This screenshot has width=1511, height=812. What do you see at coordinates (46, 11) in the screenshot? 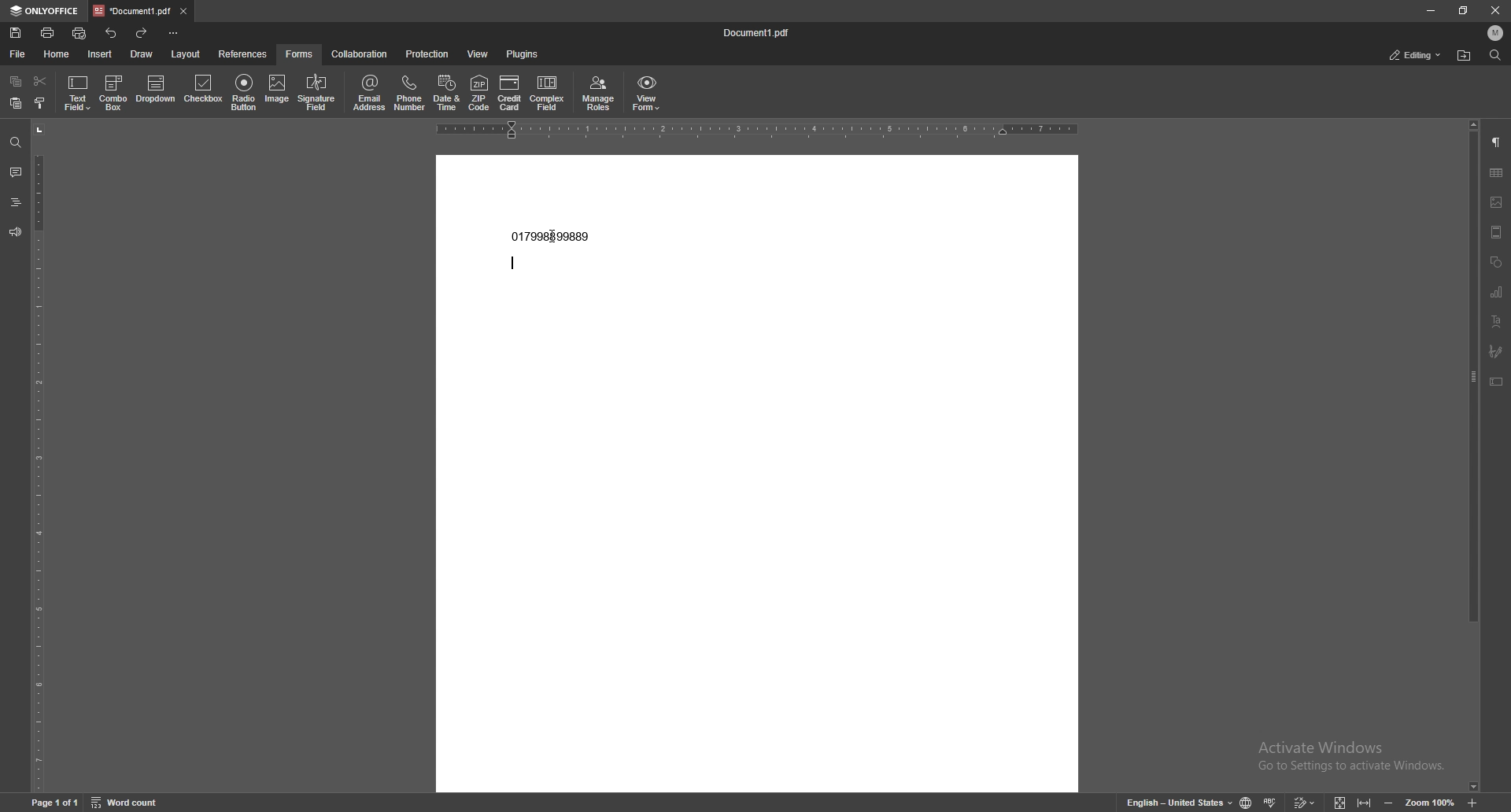
I see `onlyoffice` at bounding box center [46, 11].